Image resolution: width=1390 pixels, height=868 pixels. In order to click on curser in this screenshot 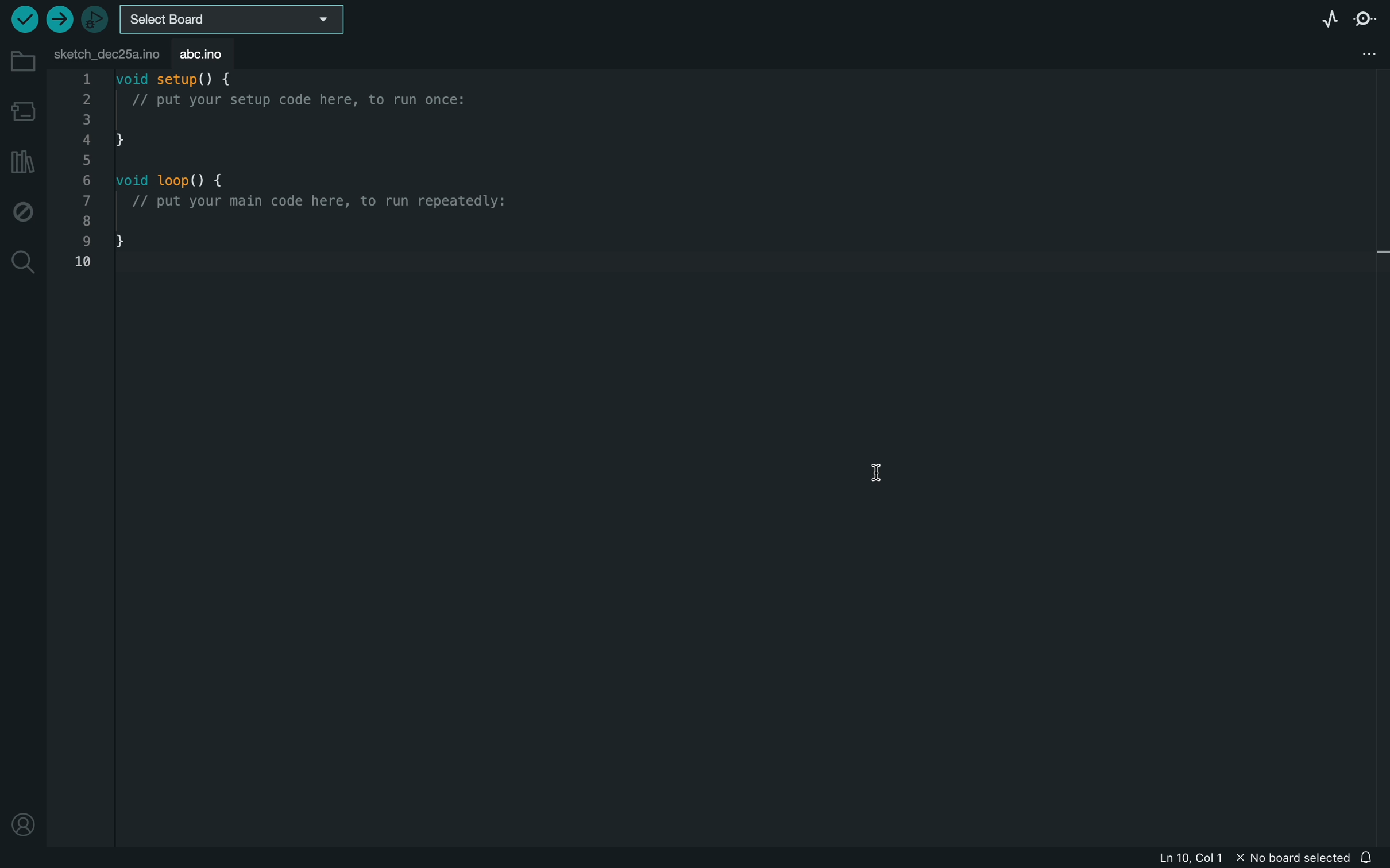, I will do `click(874, 472)`.